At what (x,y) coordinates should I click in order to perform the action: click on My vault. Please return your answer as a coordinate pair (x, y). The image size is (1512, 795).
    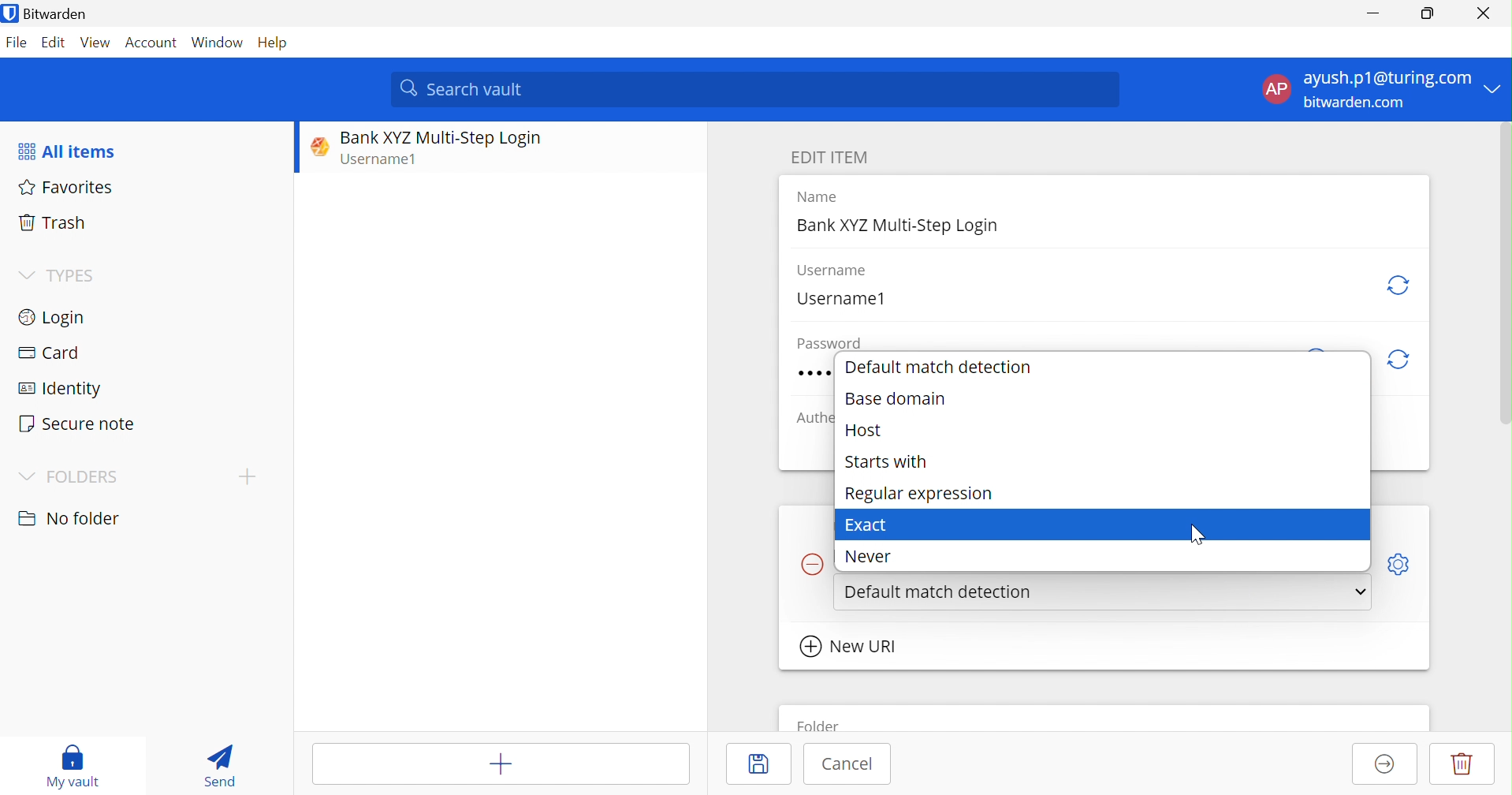
    Looking at the image, I should click on (72, 766).